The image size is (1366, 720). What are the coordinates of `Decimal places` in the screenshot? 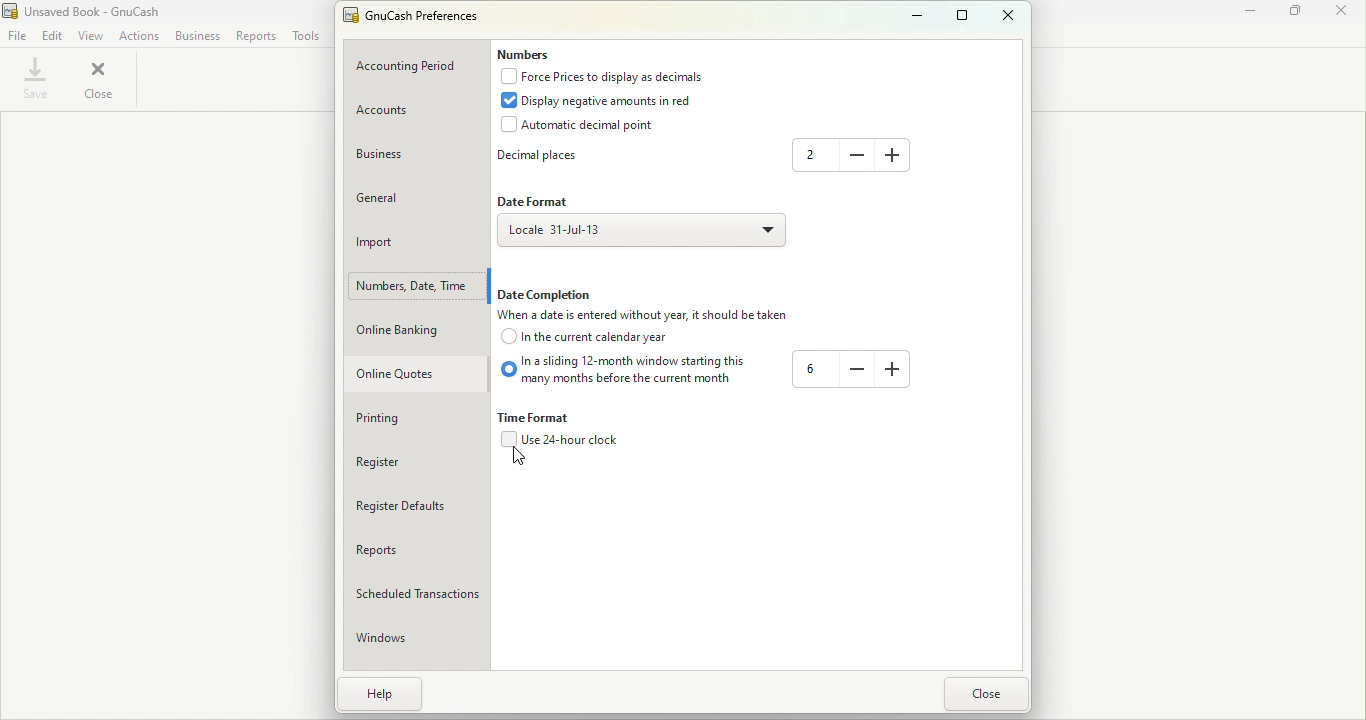 It's located at (536, 157).